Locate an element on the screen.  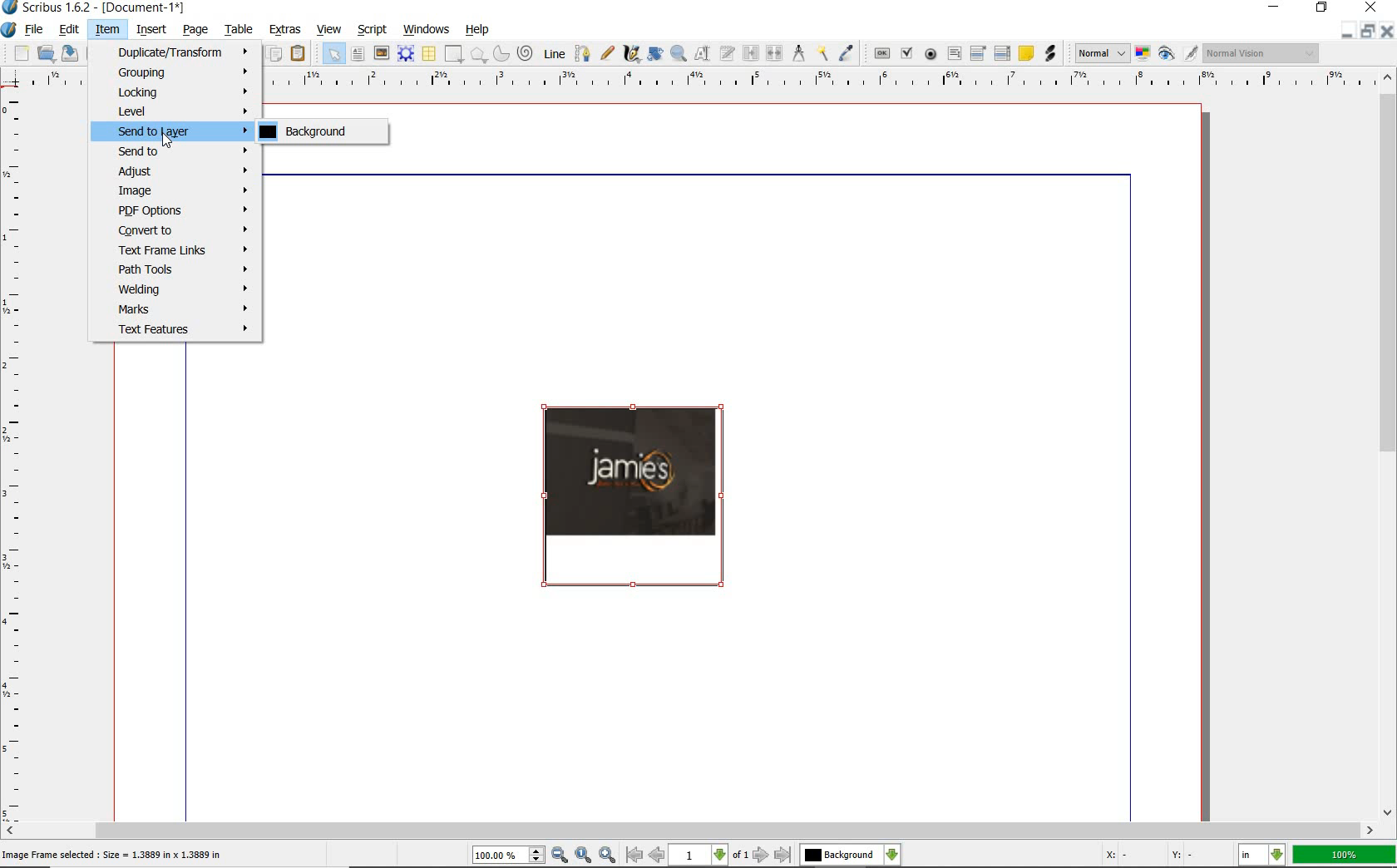
copy is located at coordinates (277, 55).